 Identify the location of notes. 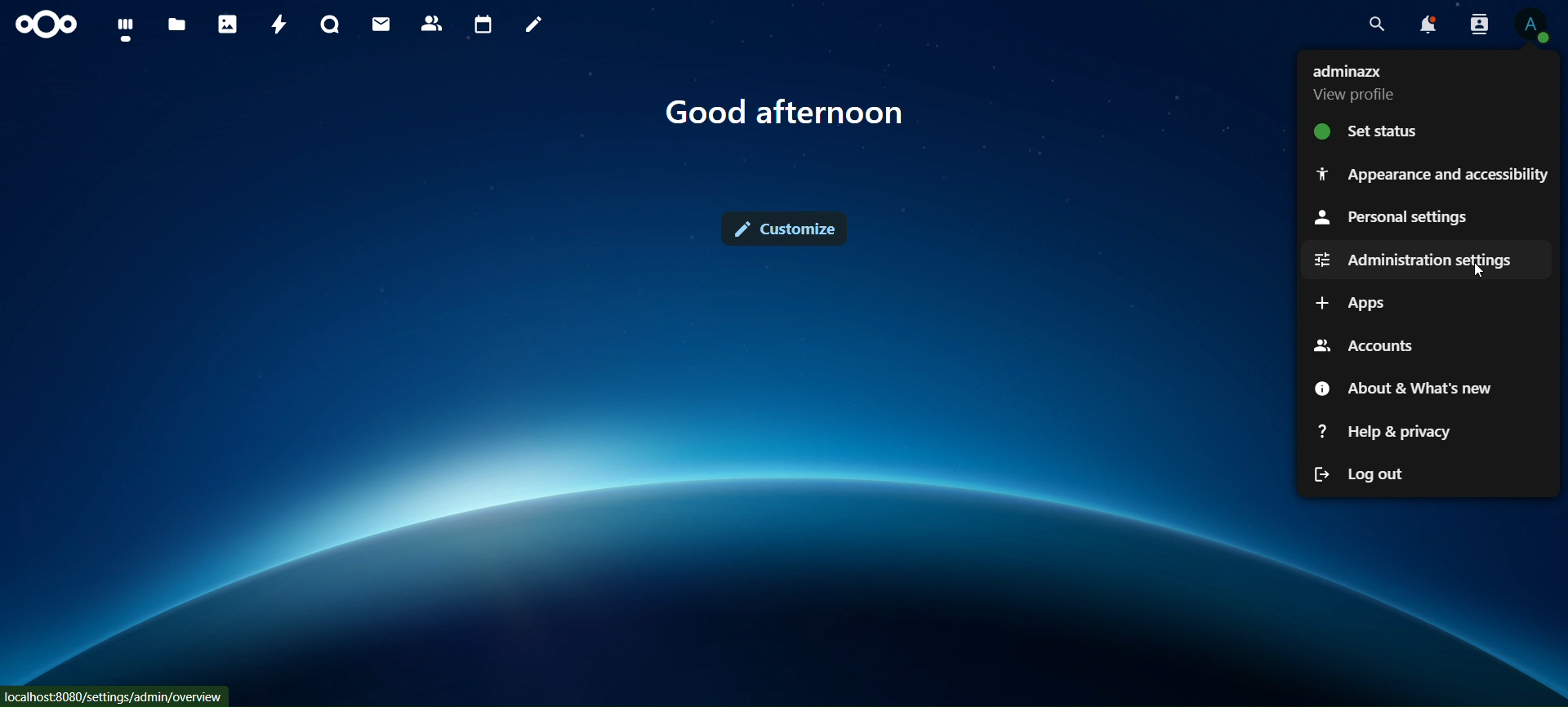
(534, 25).